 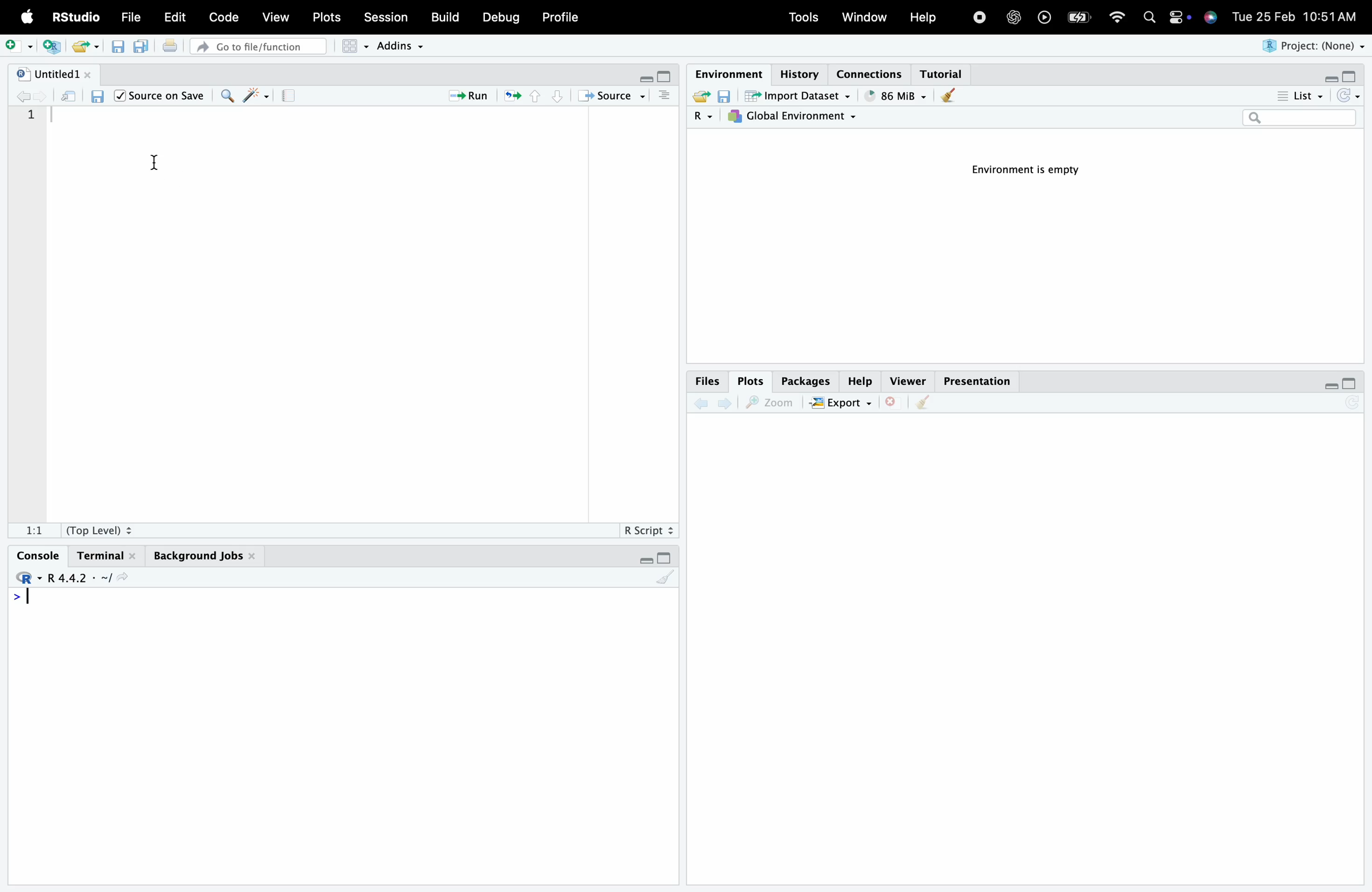 I want to click on > |, so click(x=26, y=599).